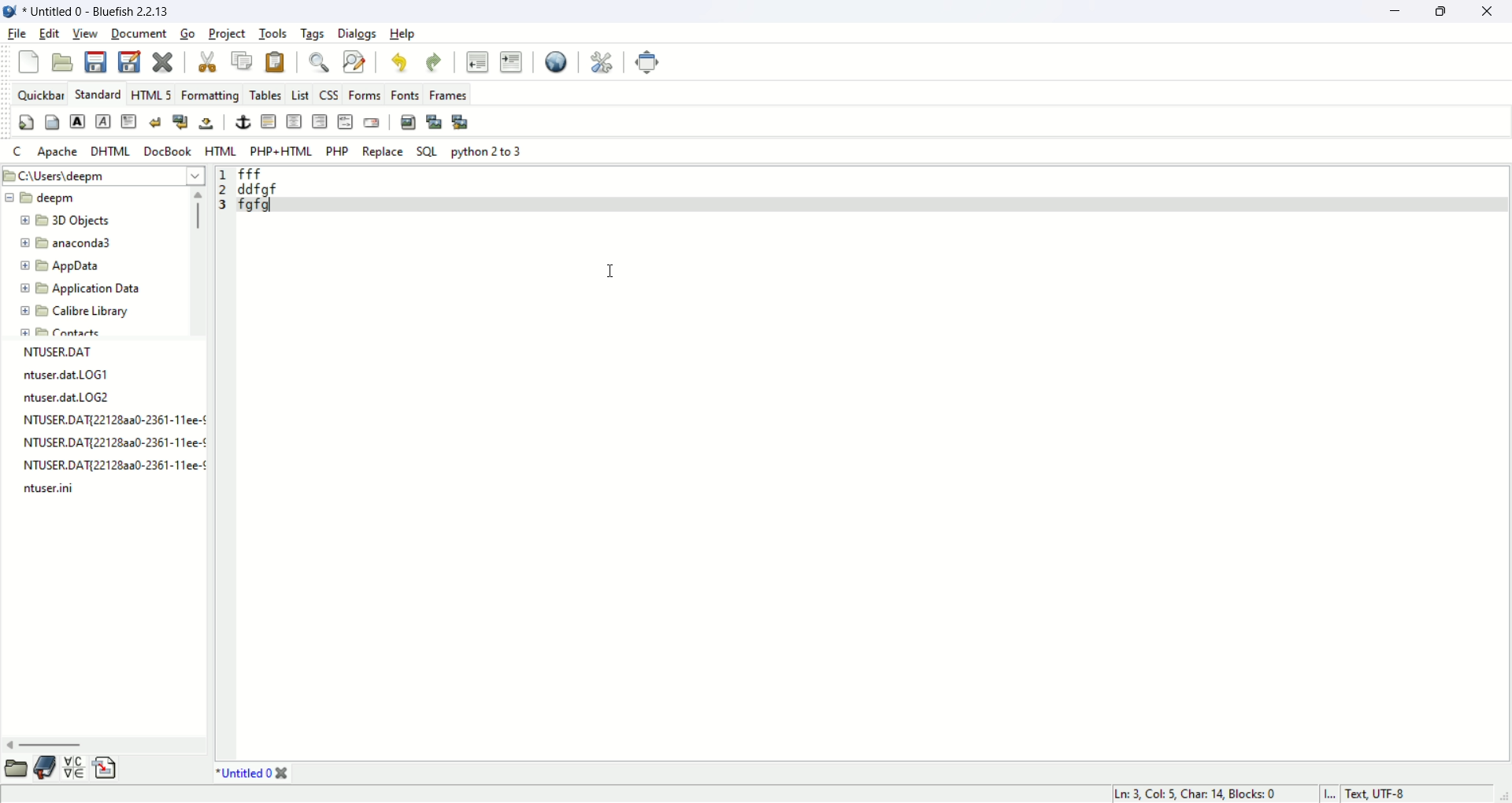  What do you see at coordinates (132, 61) in the screenshot?
I see `save as` at bounding box center [132, 61].